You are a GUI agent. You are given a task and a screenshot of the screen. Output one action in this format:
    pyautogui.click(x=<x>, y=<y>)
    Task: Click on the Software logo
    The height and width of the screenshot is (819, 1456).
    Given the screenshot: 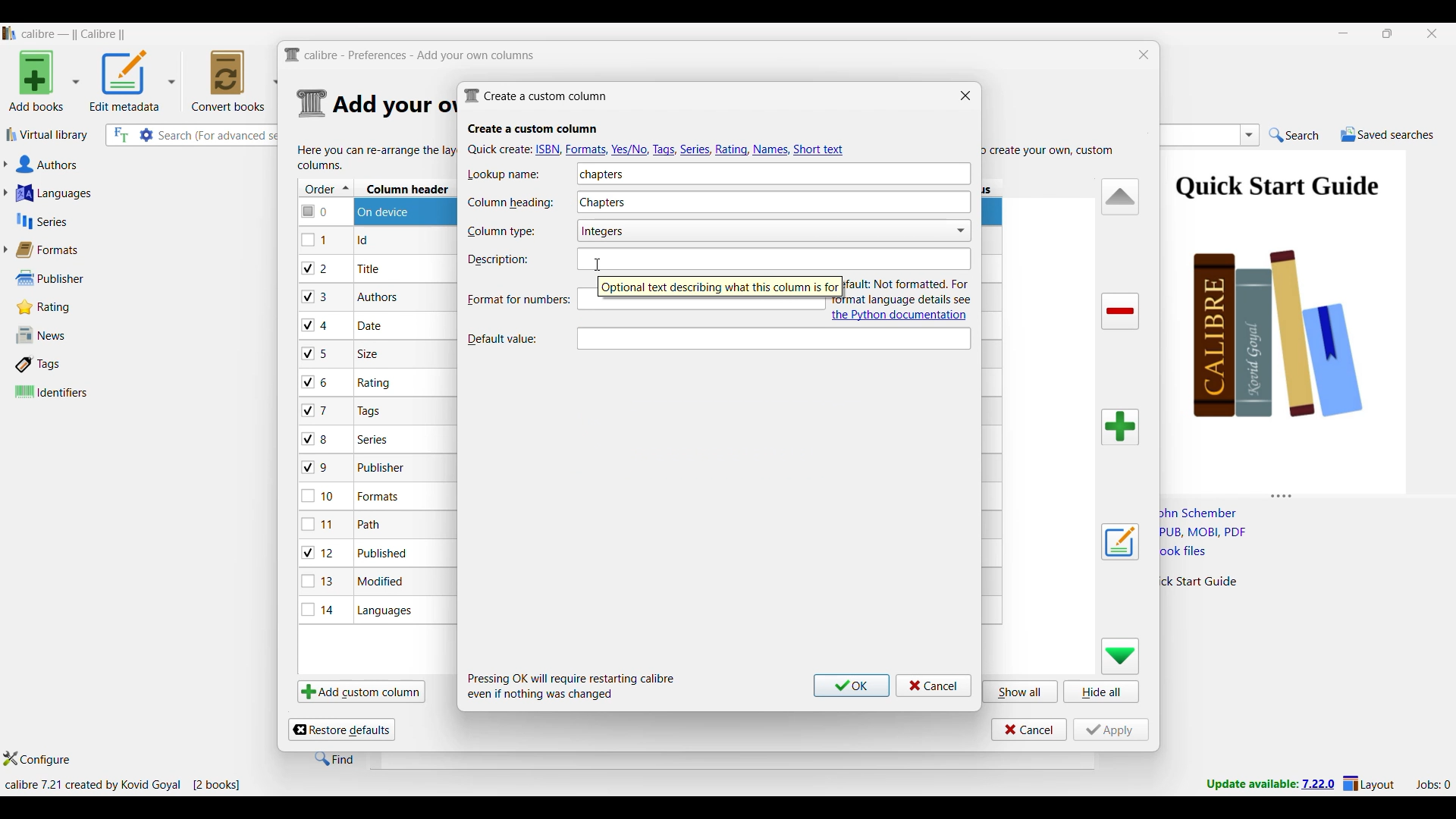 What is the action you would take?
    pyautogui.click(x=10, y=33)
    